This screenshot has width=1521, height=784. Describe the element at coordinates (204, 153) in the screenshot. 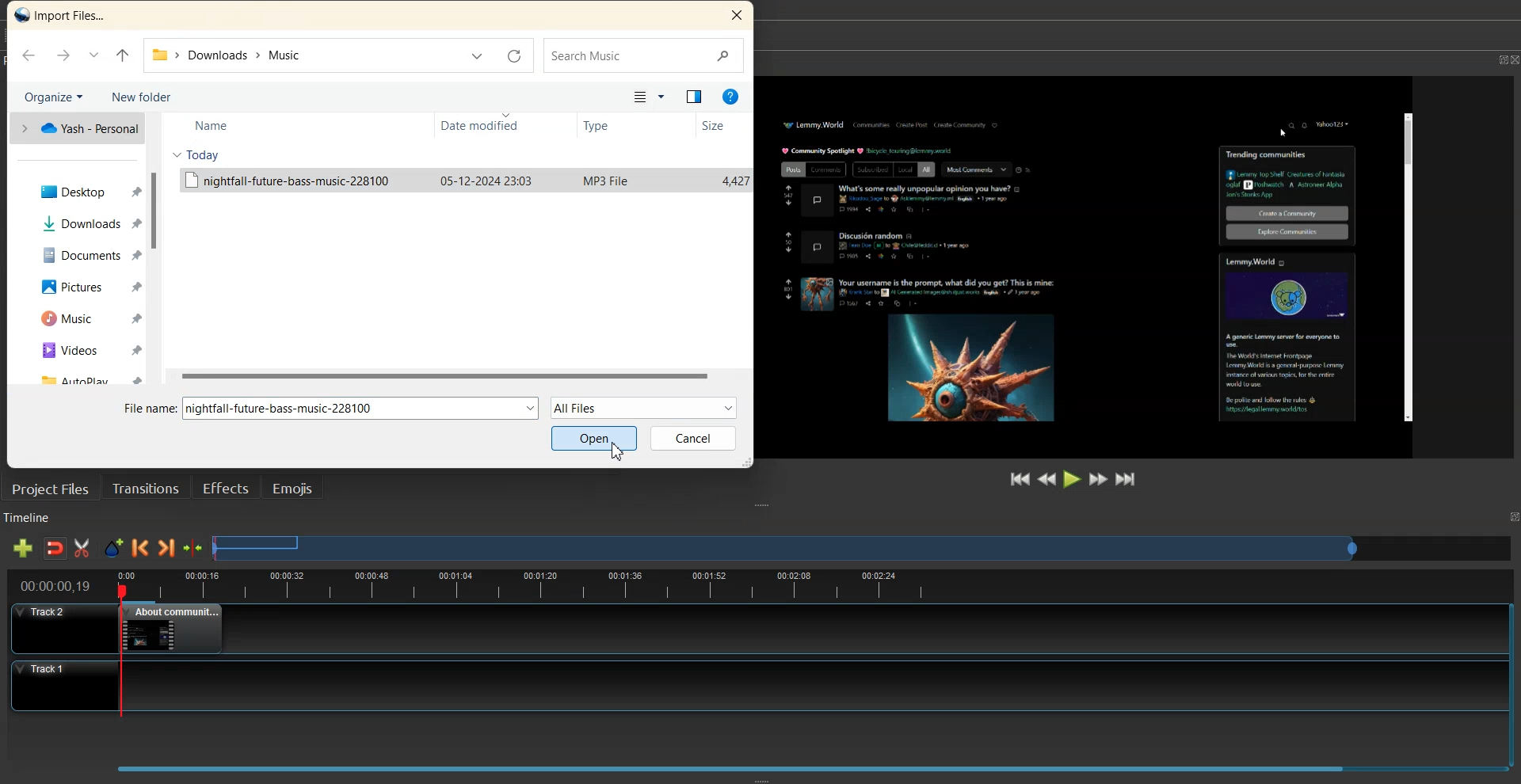

I see `Today` at that location.